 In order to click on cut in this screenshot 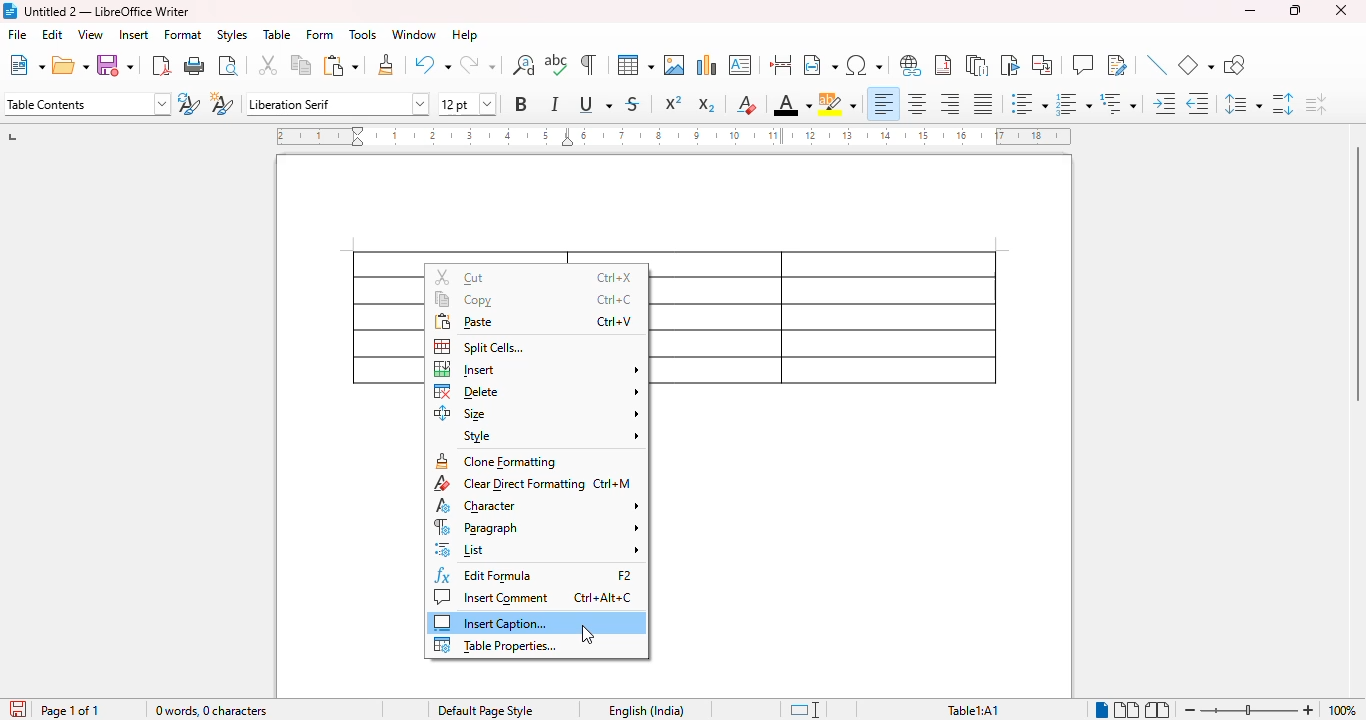, I will do `click(535, 277)`.